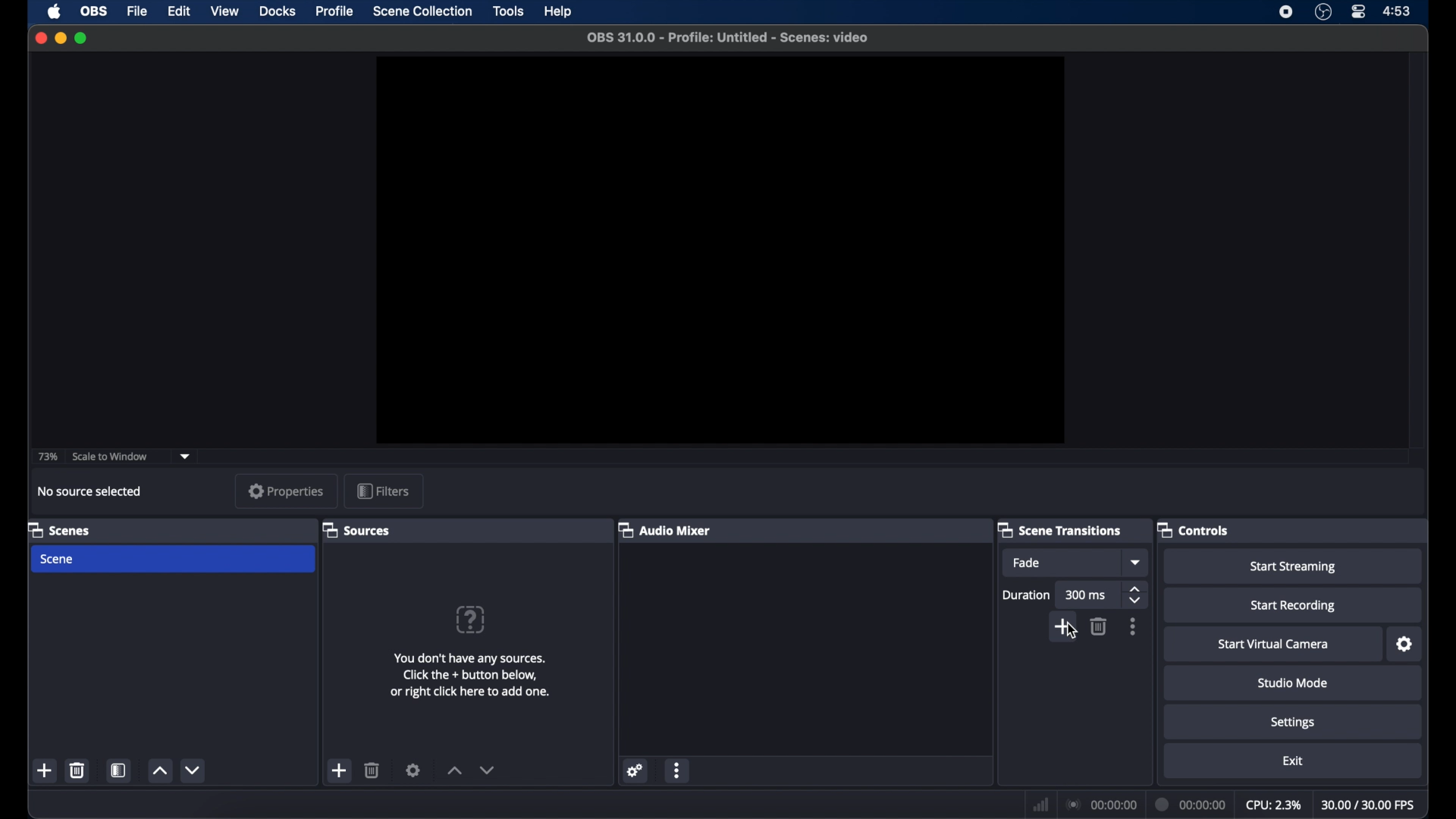 The height and width of the screenshot is (819, 1456). What do you see at coordinates (88, 491) in the screenshot?
I see `no source selected` at bounding box center [88, 491].